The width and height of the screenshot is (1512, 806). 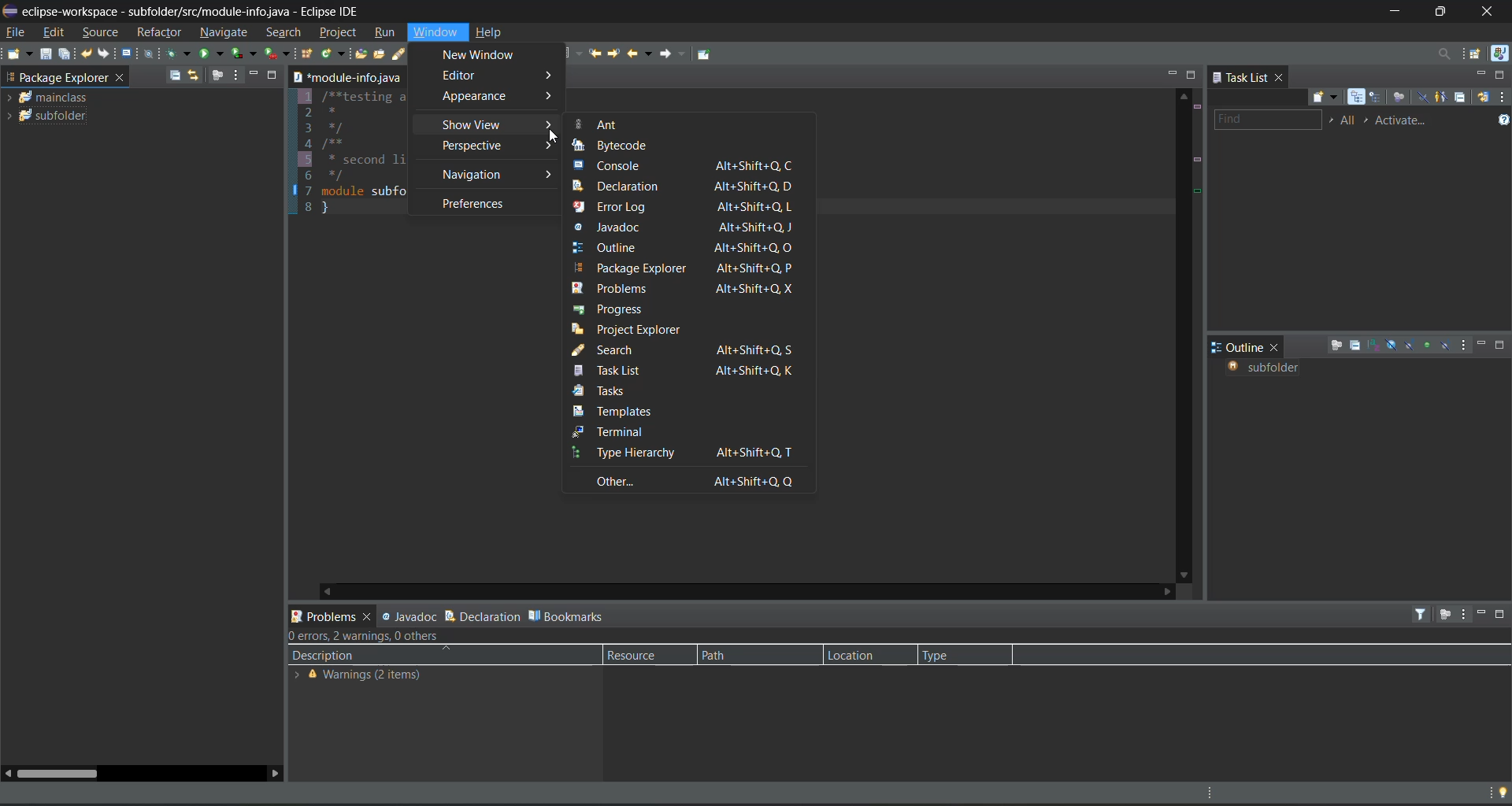 I want to click on open a terminal, so click(x=127, y=54).